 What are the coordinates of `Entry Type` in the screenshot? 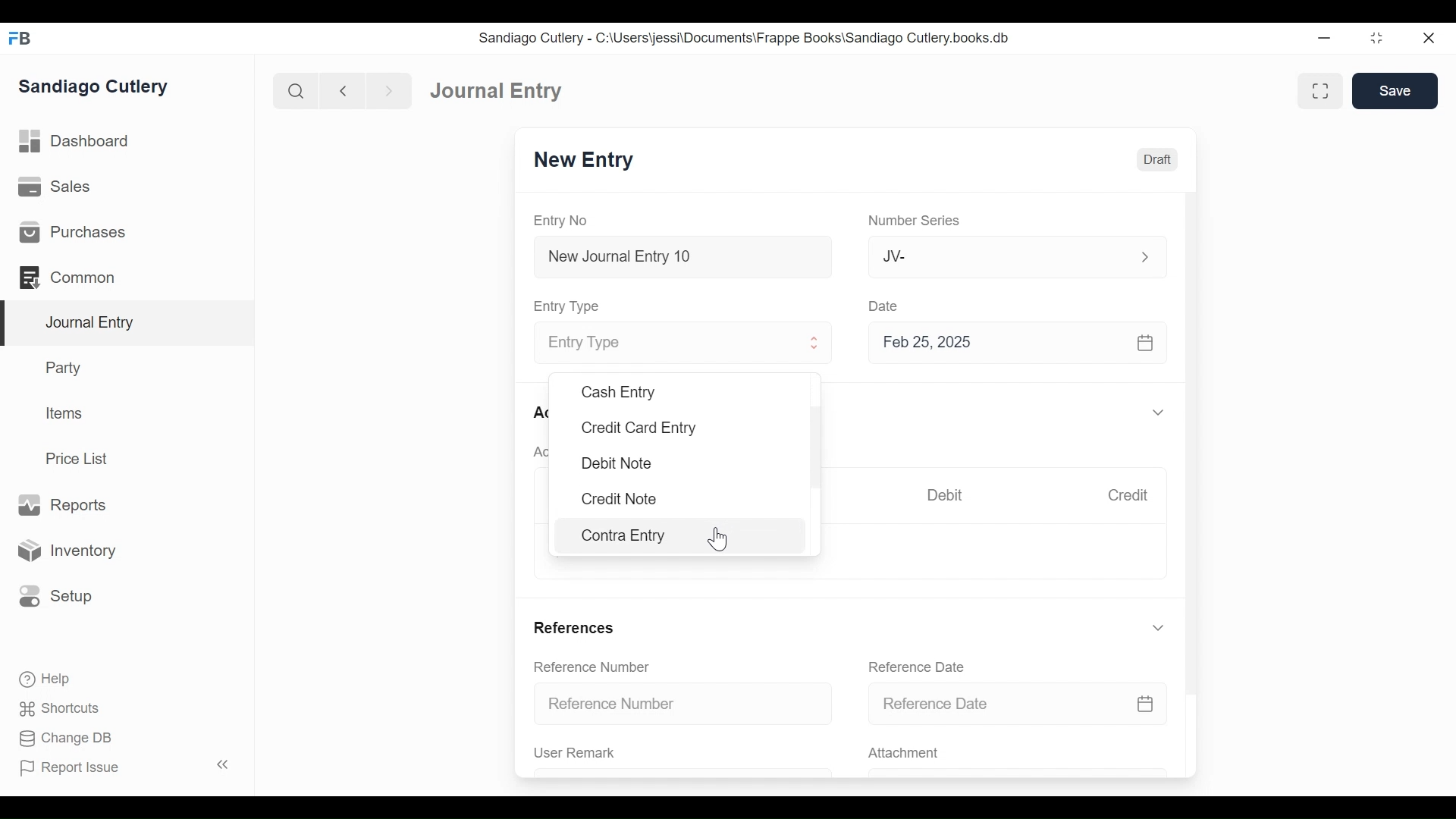 It's located at (571, 306).